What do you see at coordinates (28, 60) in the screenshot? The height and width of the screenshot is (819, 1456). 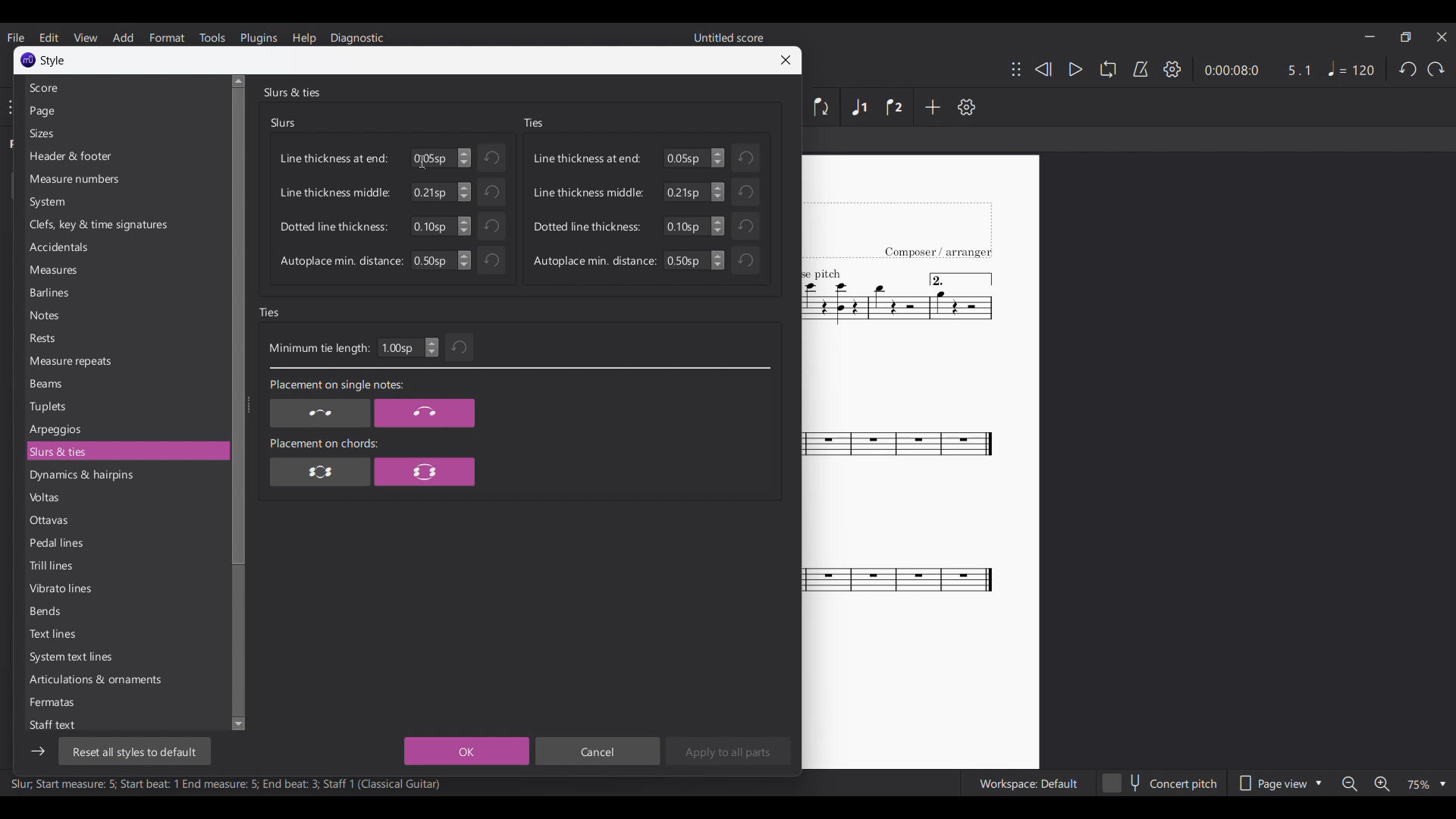 I see `Software logo` at bounding box center [28, 60].